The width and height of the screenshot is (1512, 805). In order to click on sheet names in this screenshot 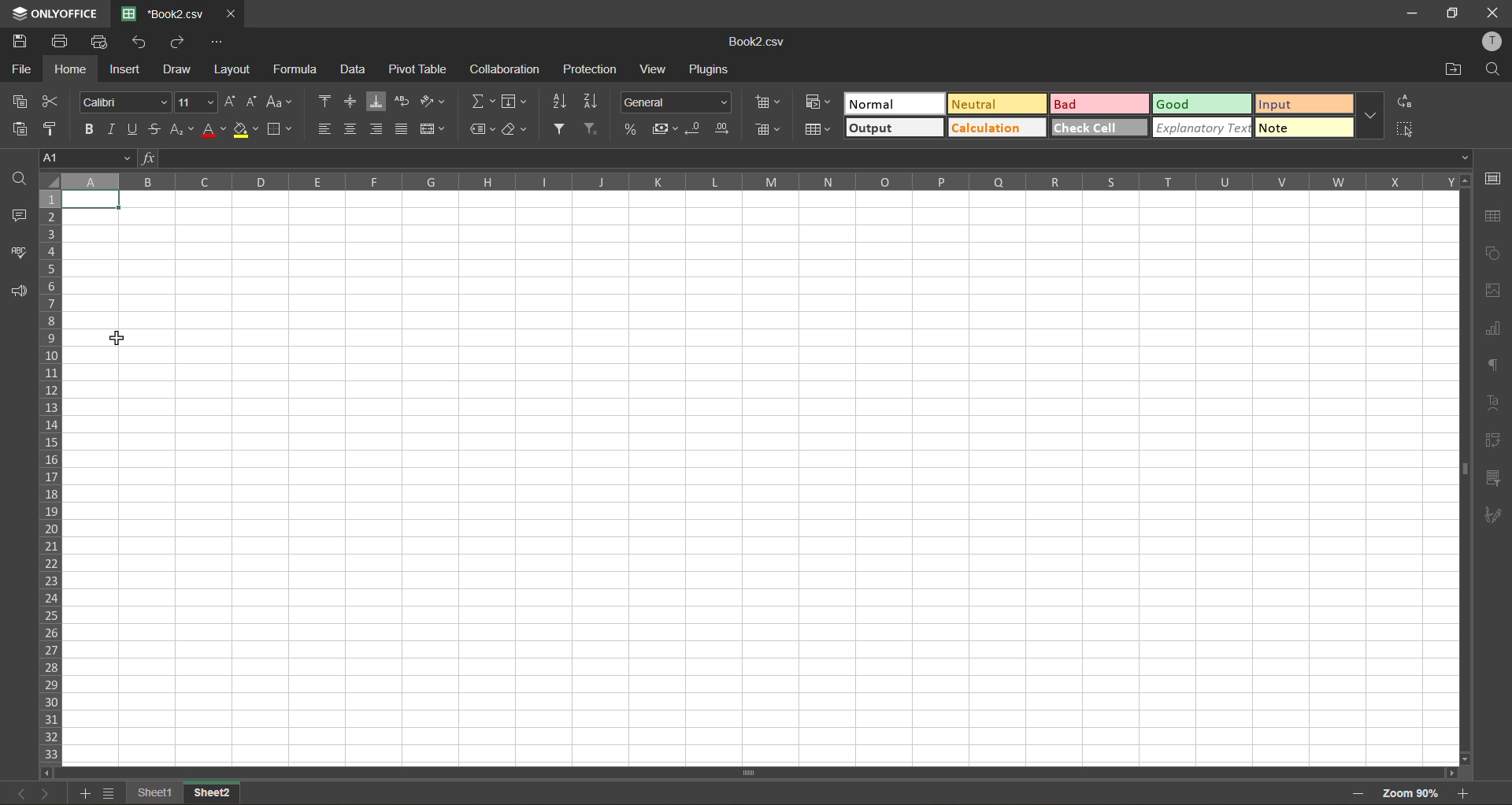, I will do `click(183, 792)`.